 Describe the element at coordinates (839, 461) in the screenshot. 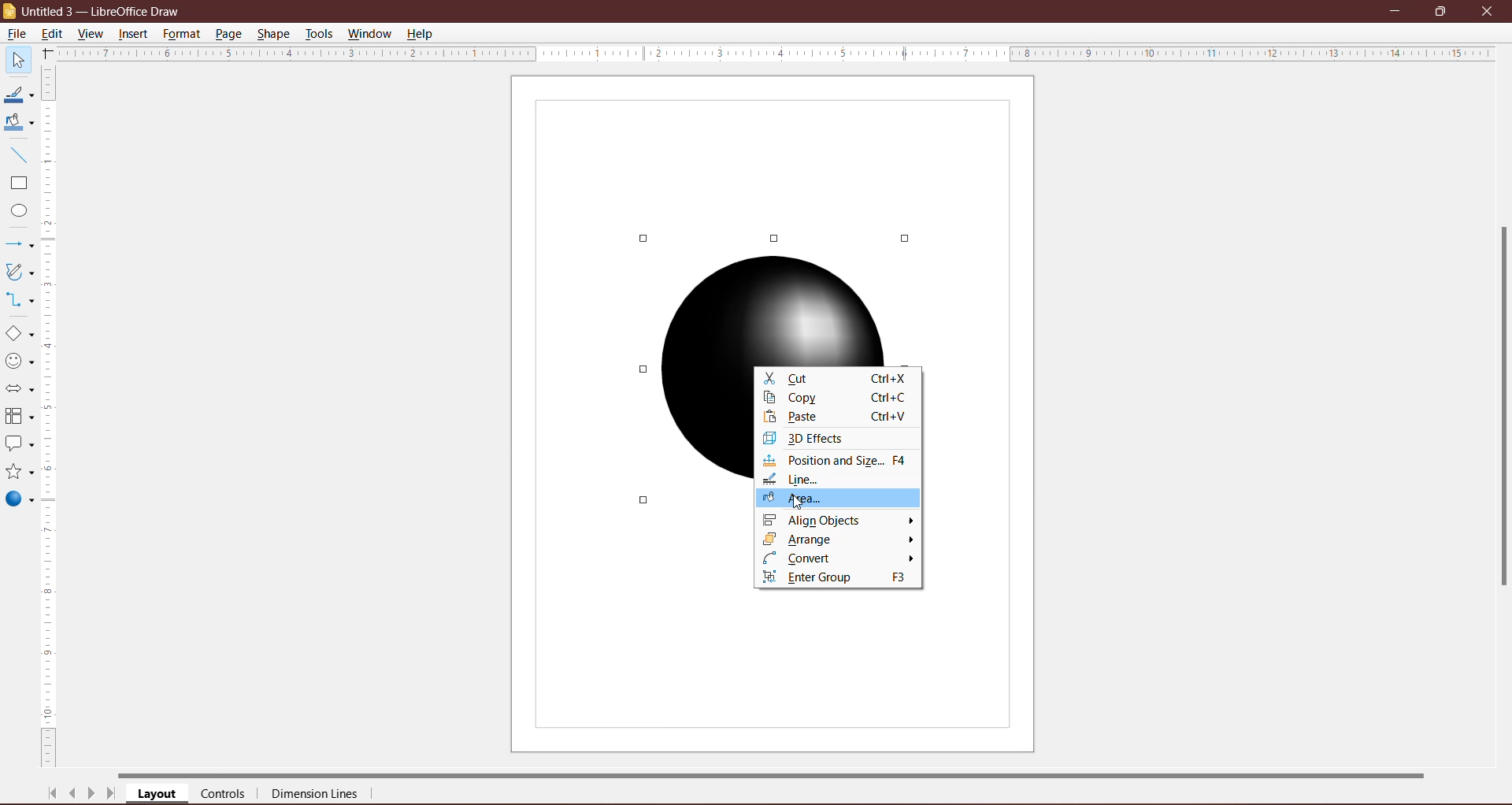

I see `Position and Size` at that location.